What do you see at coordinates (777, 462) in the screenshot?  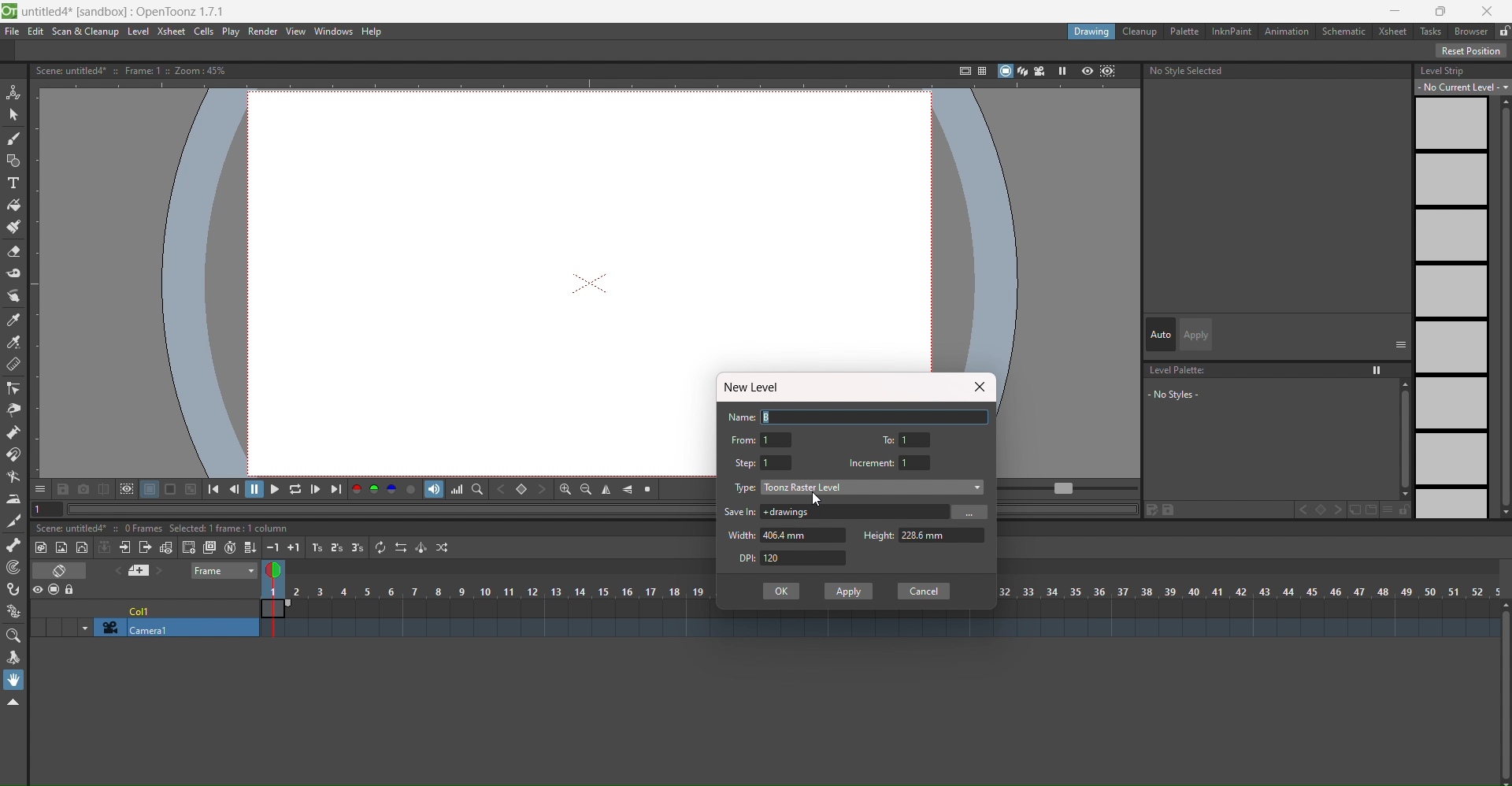 I see `1` at bounding box center [777, 462].